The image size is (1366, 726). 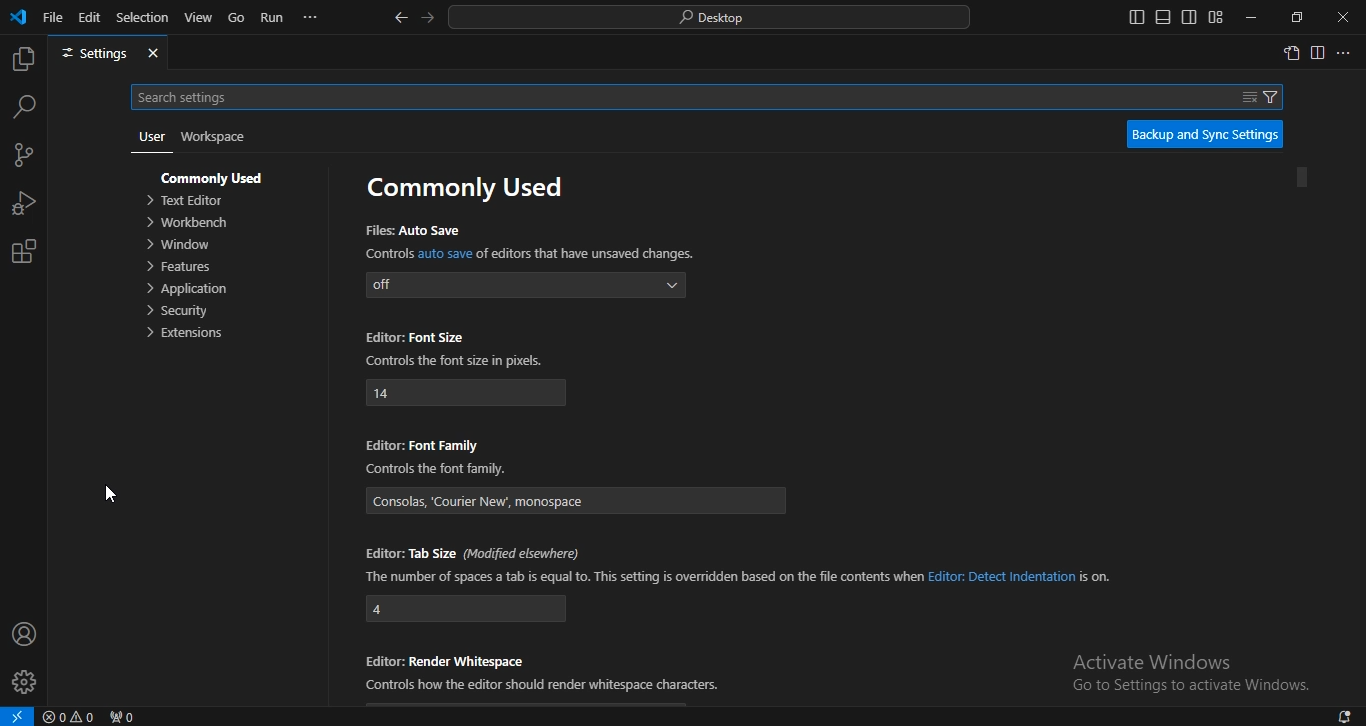 What do you see at coordinates (24, 683) in the screenshot?
I see `profile` at bounding box center [24, 683].